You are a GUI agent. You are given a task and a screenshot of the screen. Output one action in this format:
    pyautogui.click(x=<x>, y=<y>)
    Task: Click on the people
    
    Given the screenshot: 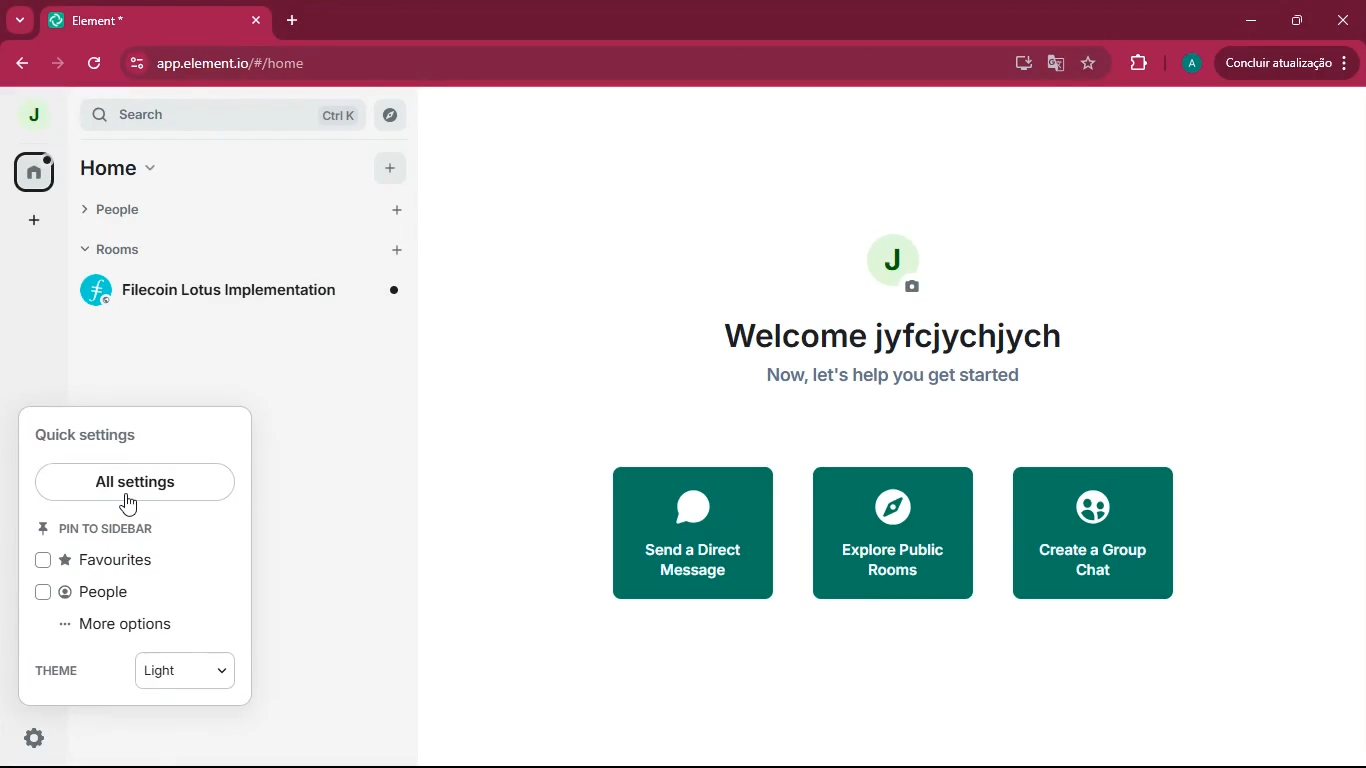 What is the action you would take?
    pyautogui.click(x=103, y=594)
    